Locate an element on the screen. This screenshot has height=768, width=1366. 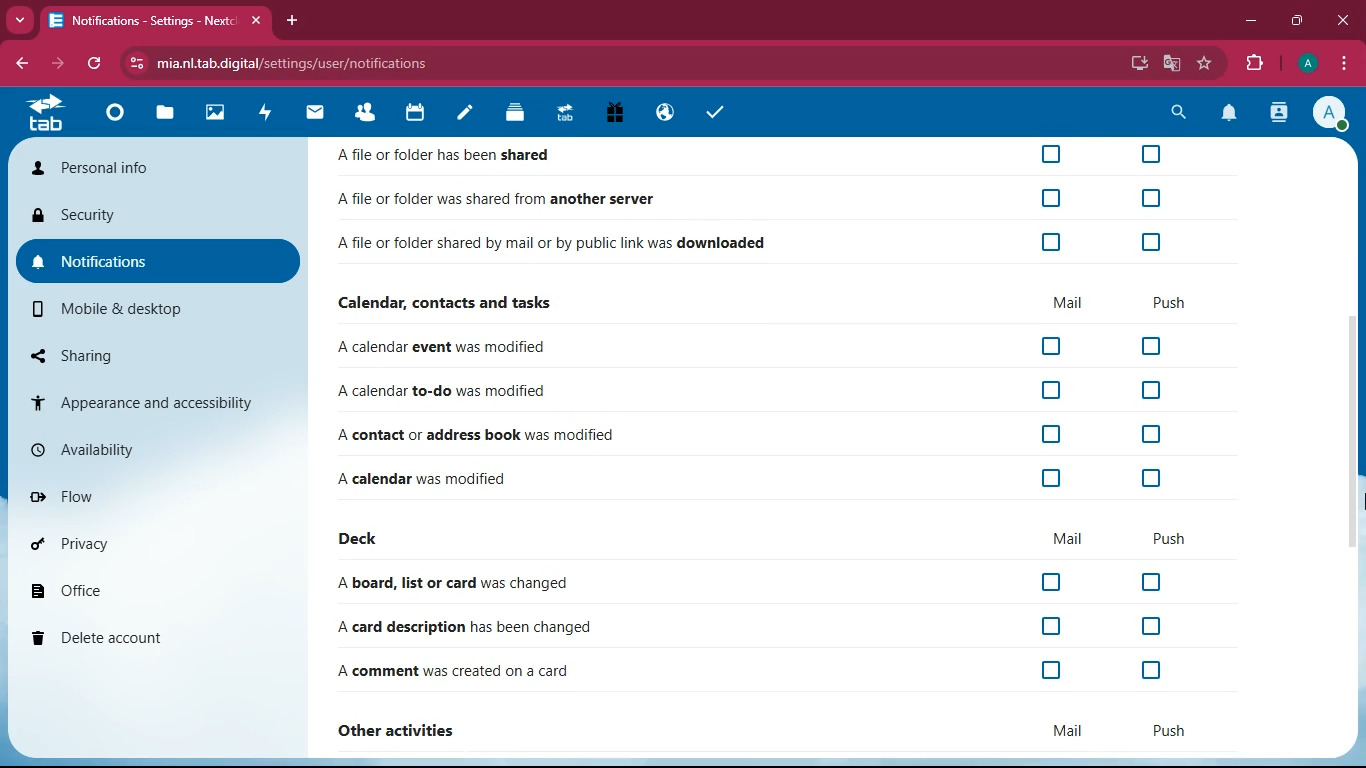
A board, list or card was changed is located at coordinates (463, 581).